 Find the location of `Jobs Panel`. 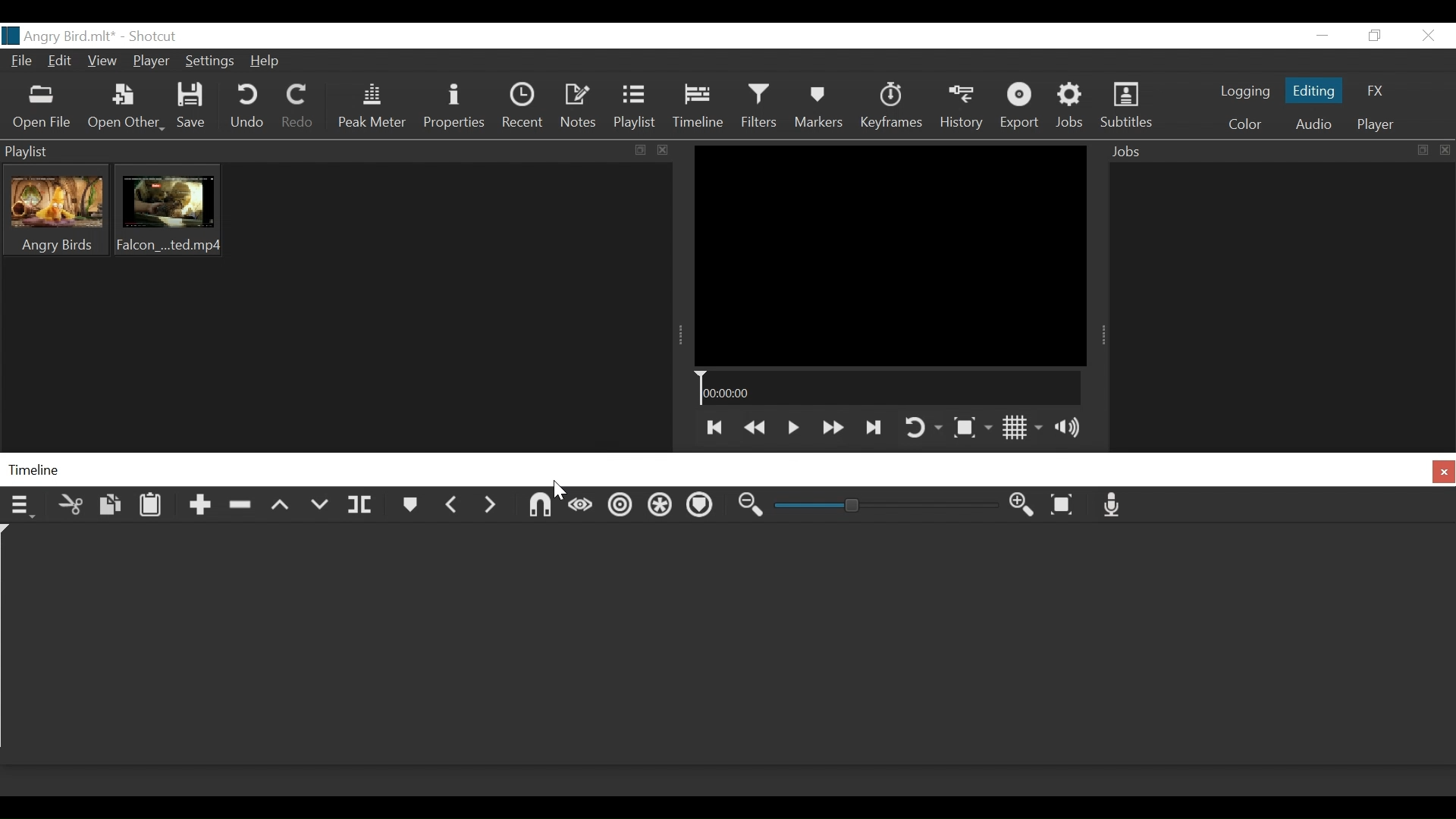

Jobs Panel is located at coordinates (1279, 151).